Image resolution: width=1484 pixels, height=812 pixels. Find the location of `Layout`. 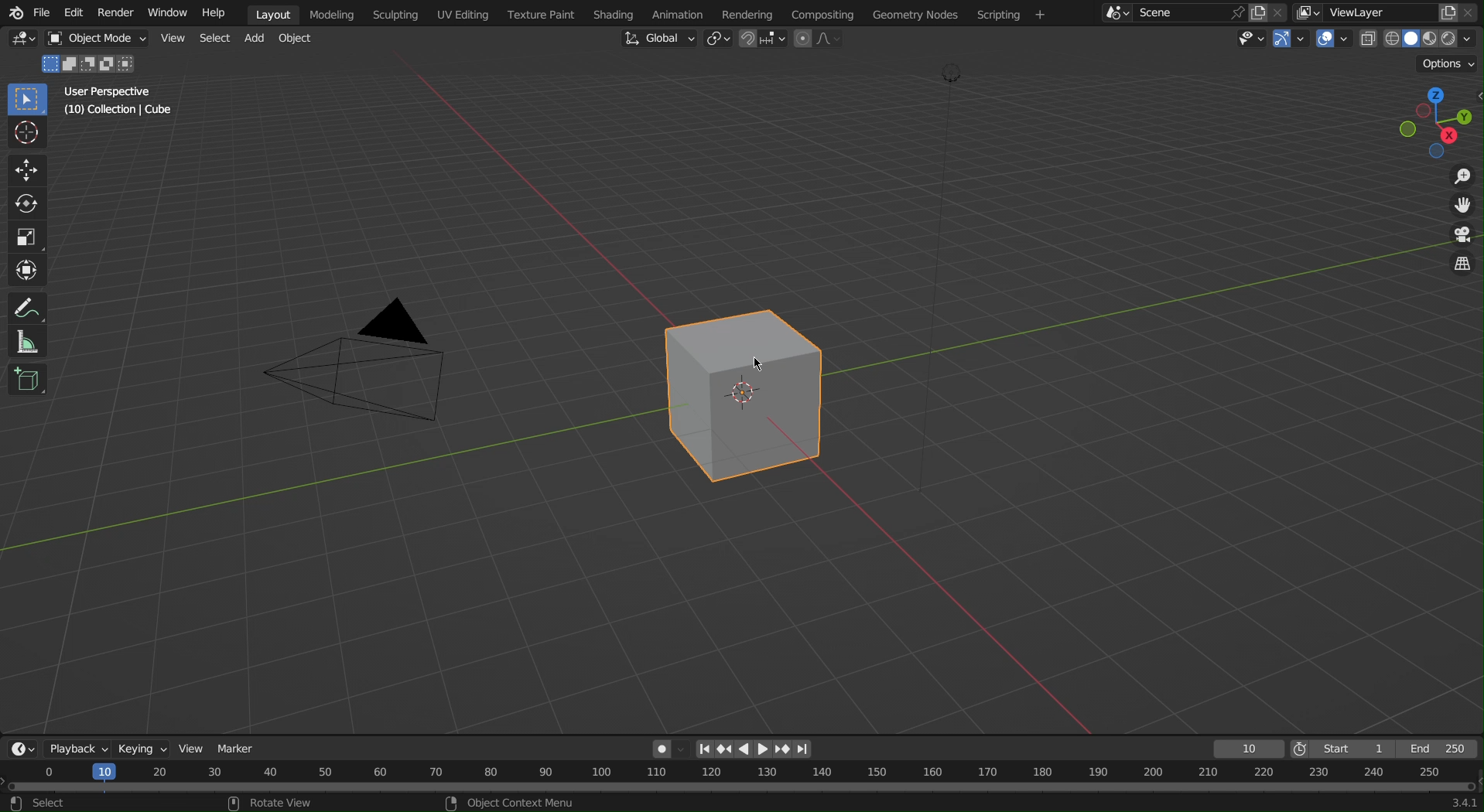

Layout is located at coordinates (274, 12).